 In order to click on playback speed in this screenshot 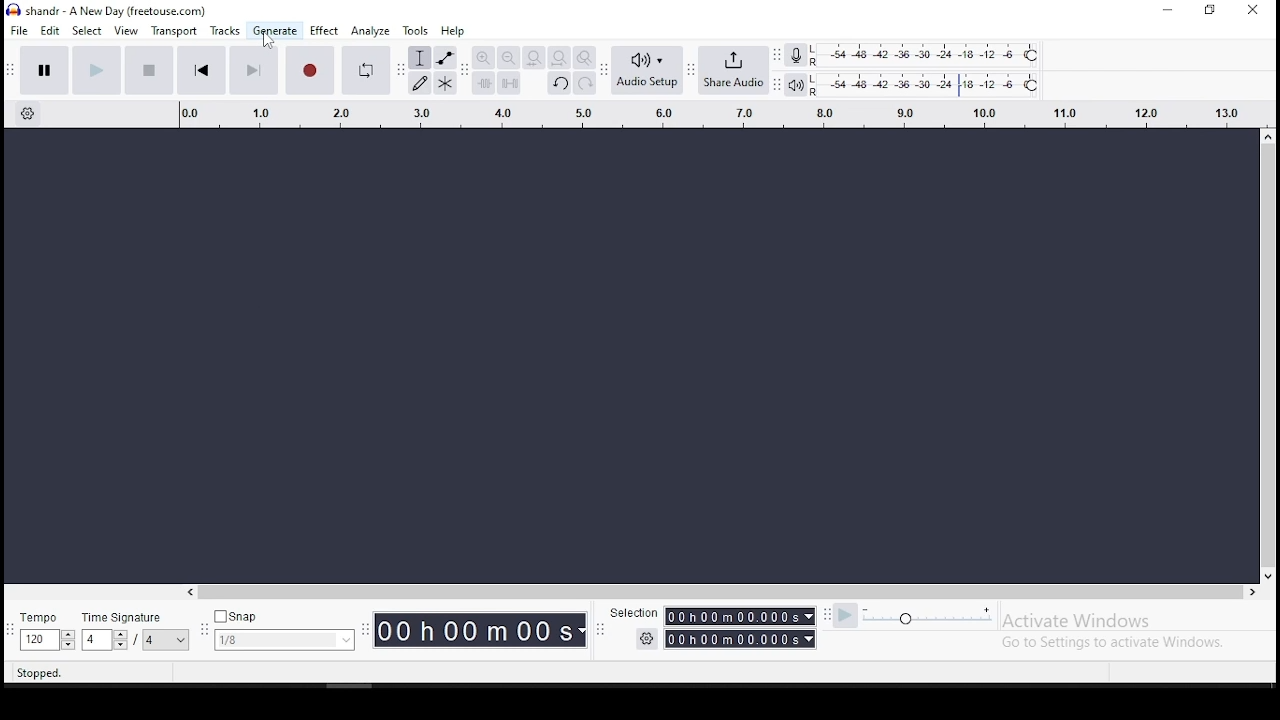, I will do `click(948, 615)`.